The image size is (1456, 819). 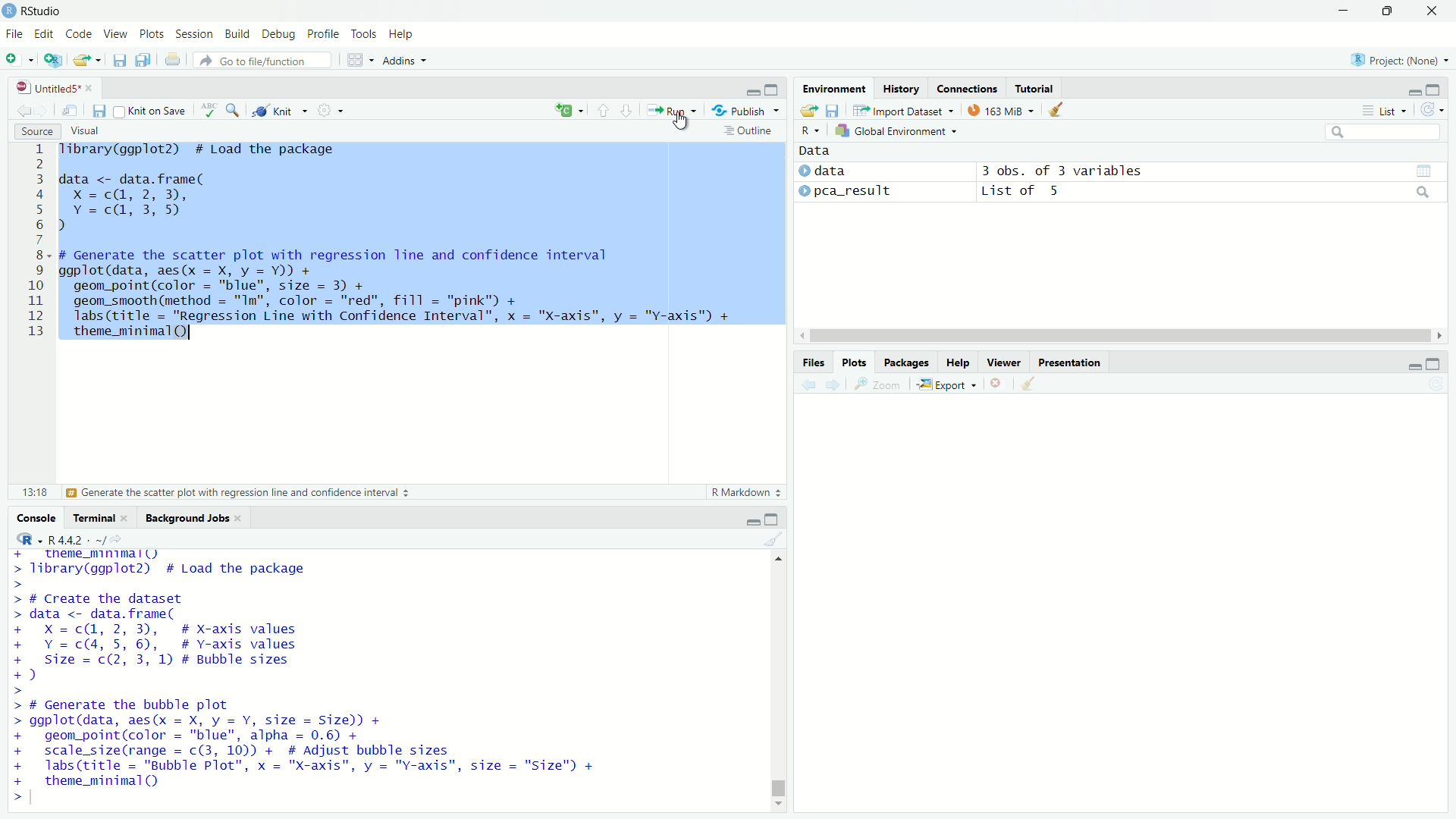 I want to click on Check spelling in the document, so click(x=208, y=110).